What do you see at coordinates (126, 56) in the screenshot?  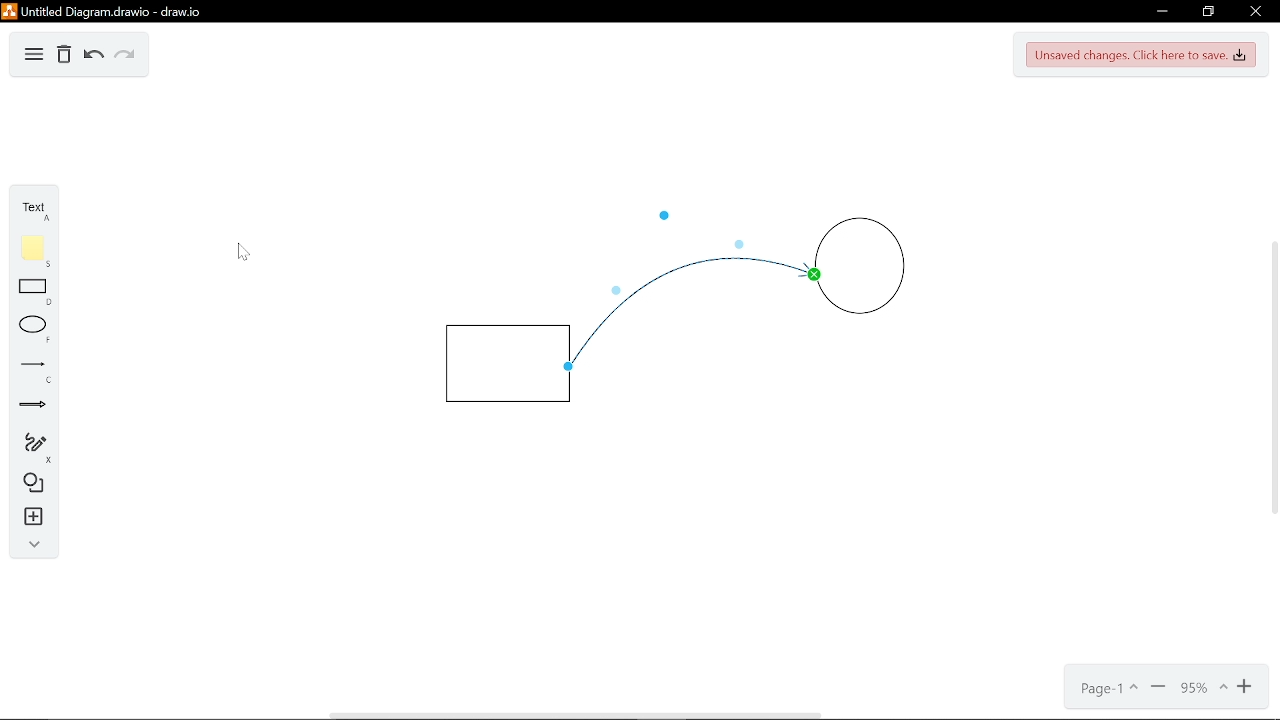 I see `Redo` at bounding box center [126, 56].